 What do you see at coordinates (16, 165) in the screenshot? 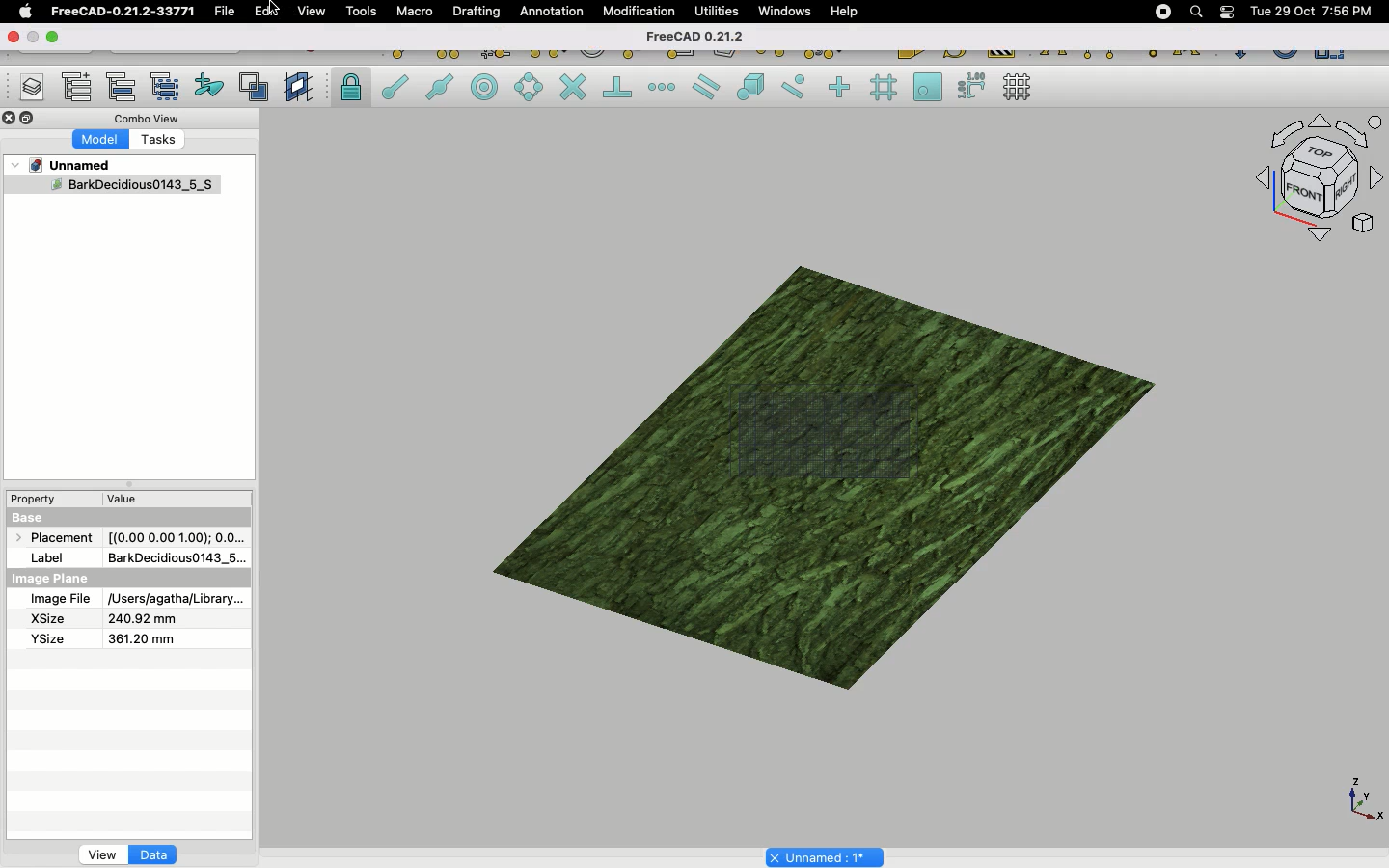
I see `Drop down` at bounding box center [16, 165].